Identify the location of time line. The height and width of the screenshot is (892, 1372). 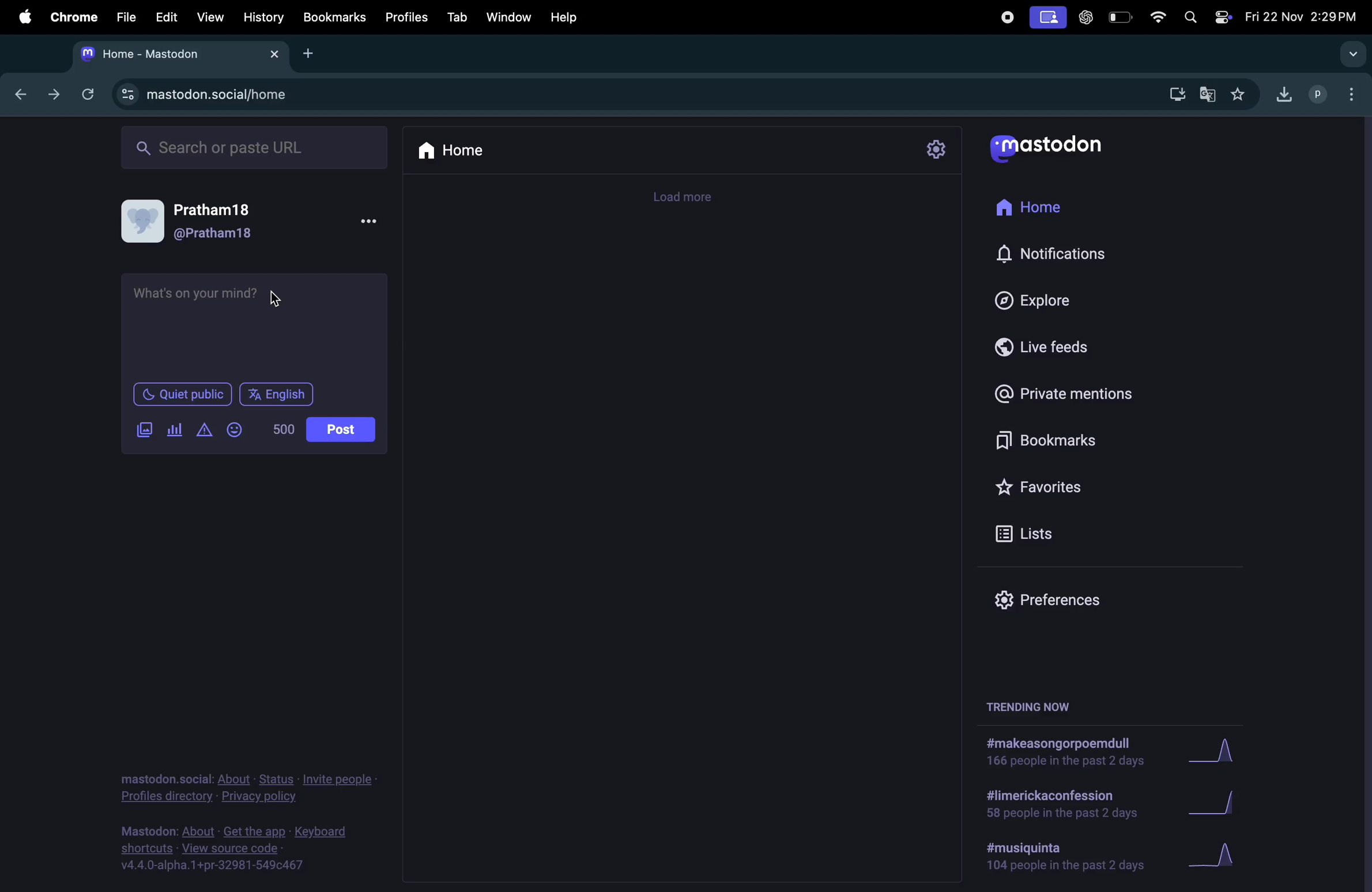
(691, 197).